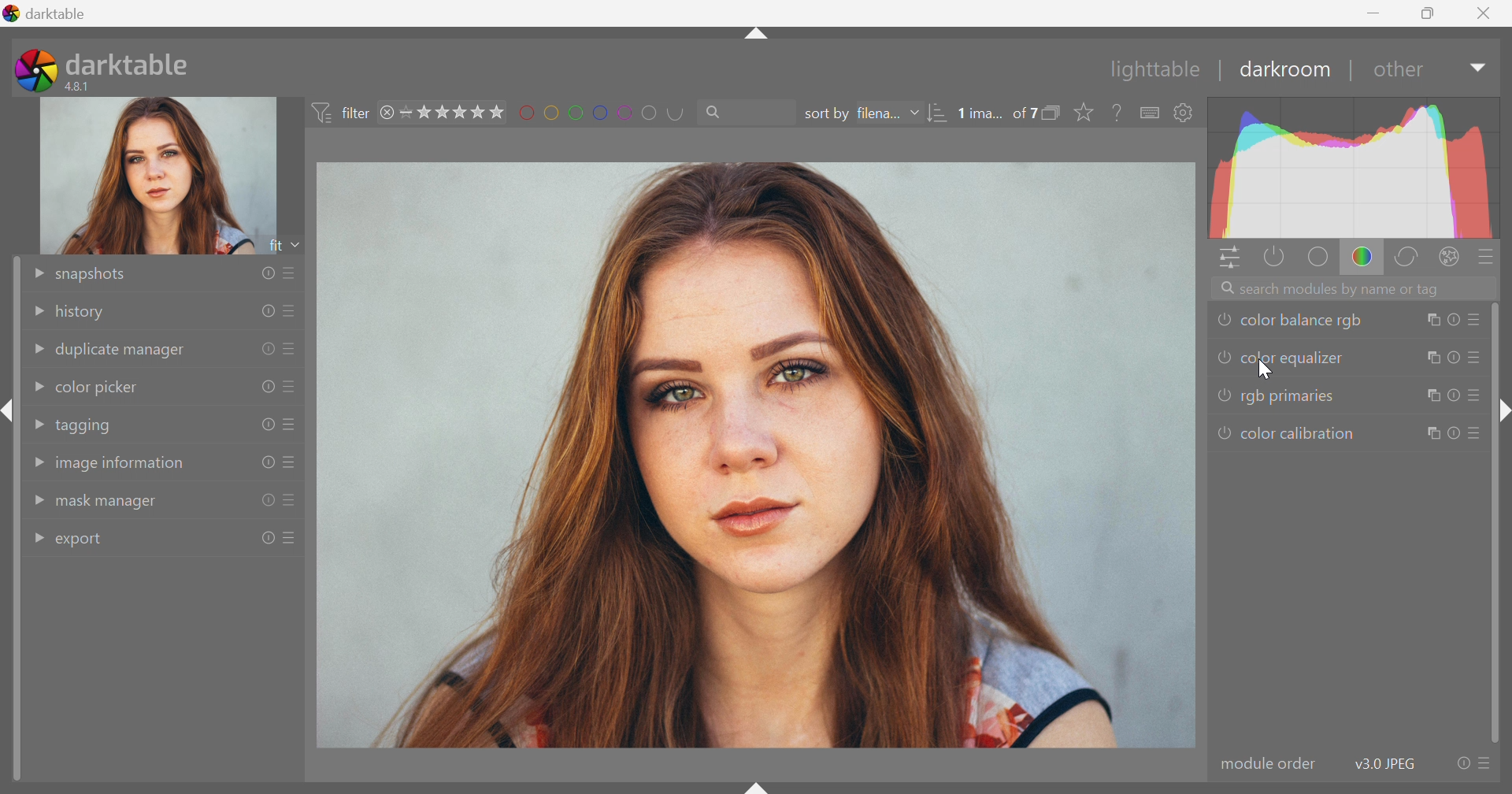  Describe the element at coordinates (291, 311) in the screenshot. I see `presets` at that location.